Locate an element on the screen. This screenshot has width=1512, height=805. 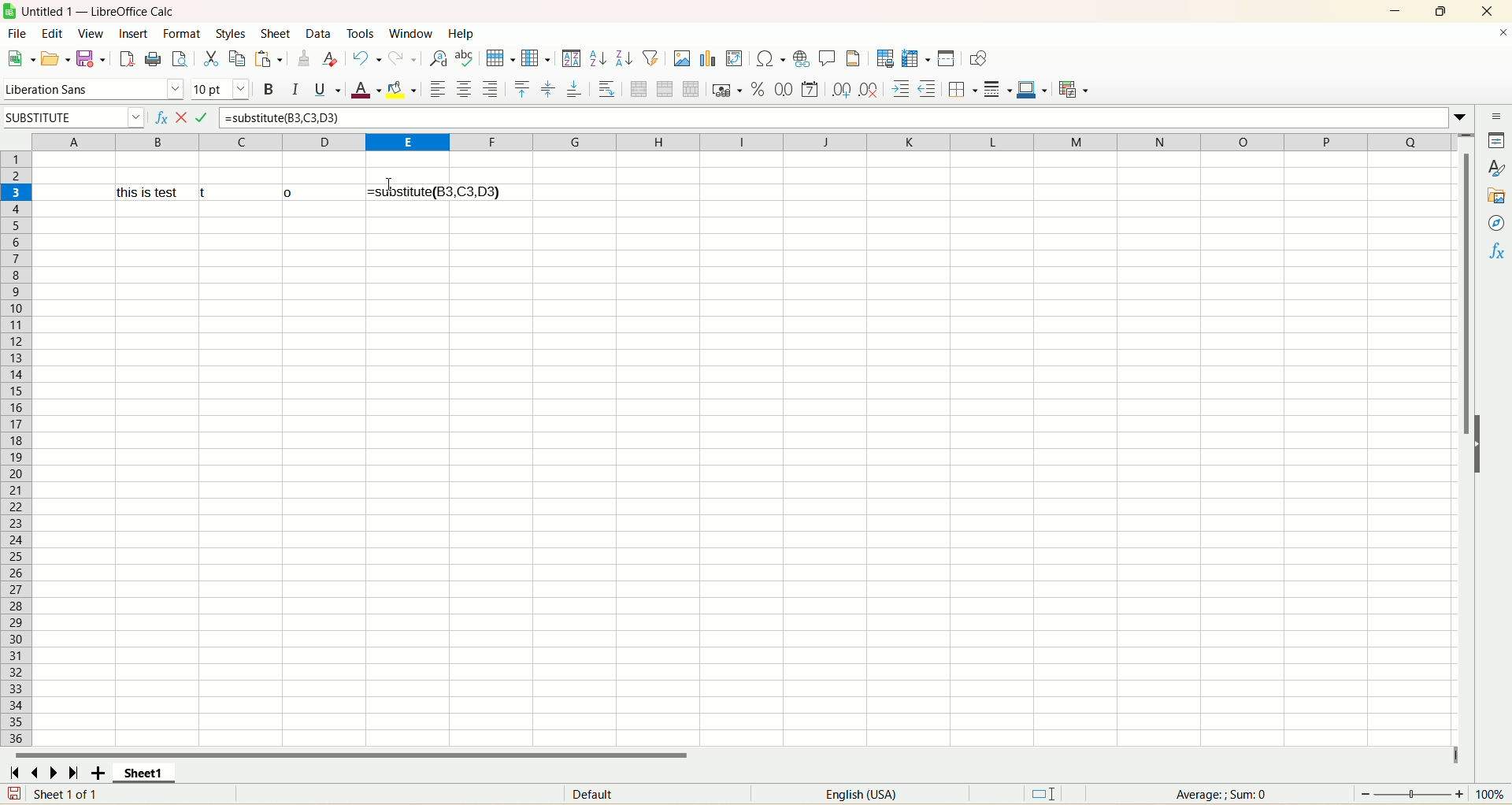
print preview is located at coordinates (178, 57).